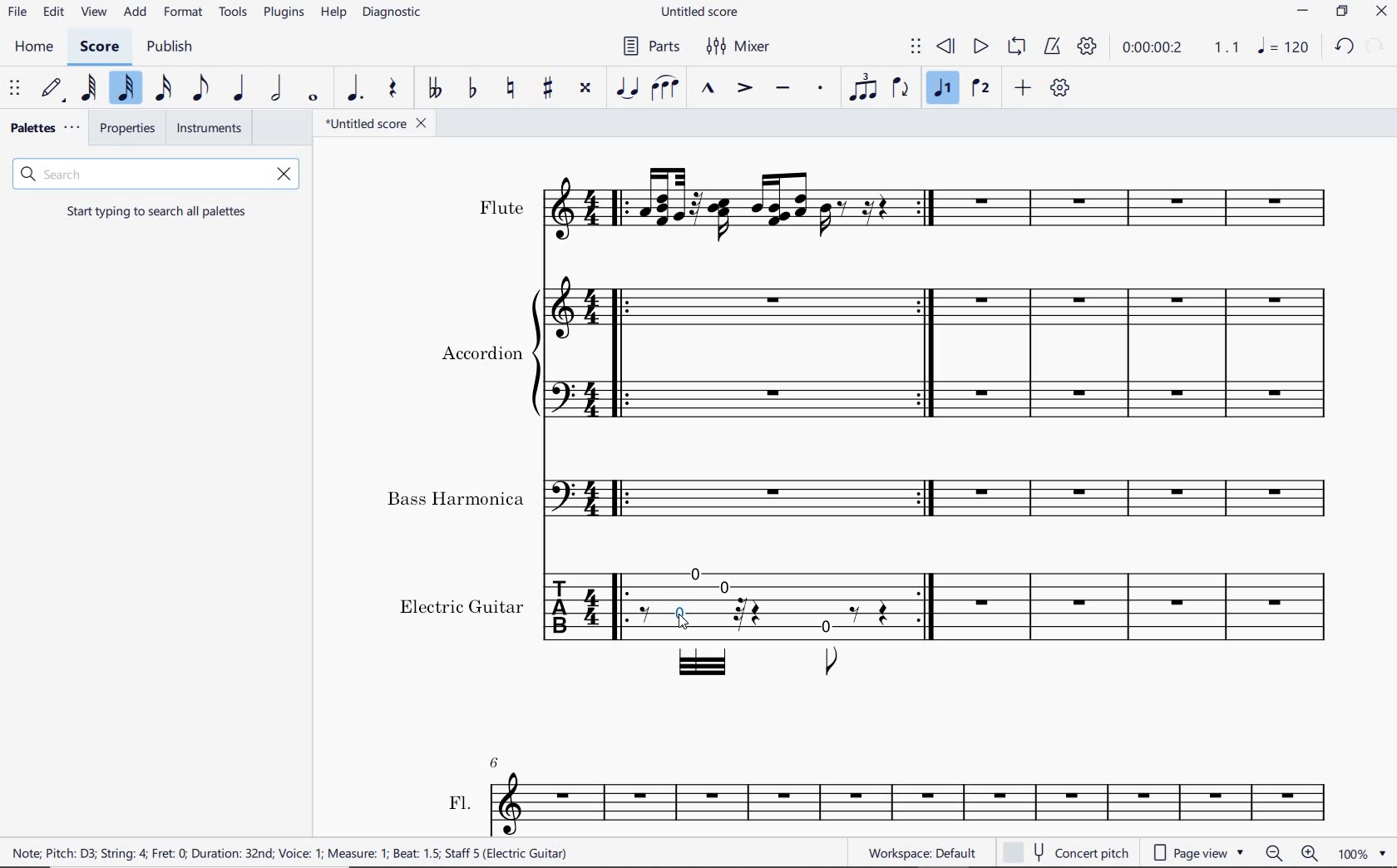  What do you see at coordinates (906, 206) in the screenshot?
I see `Instrument: Flute` at bounding box center [906, 206].